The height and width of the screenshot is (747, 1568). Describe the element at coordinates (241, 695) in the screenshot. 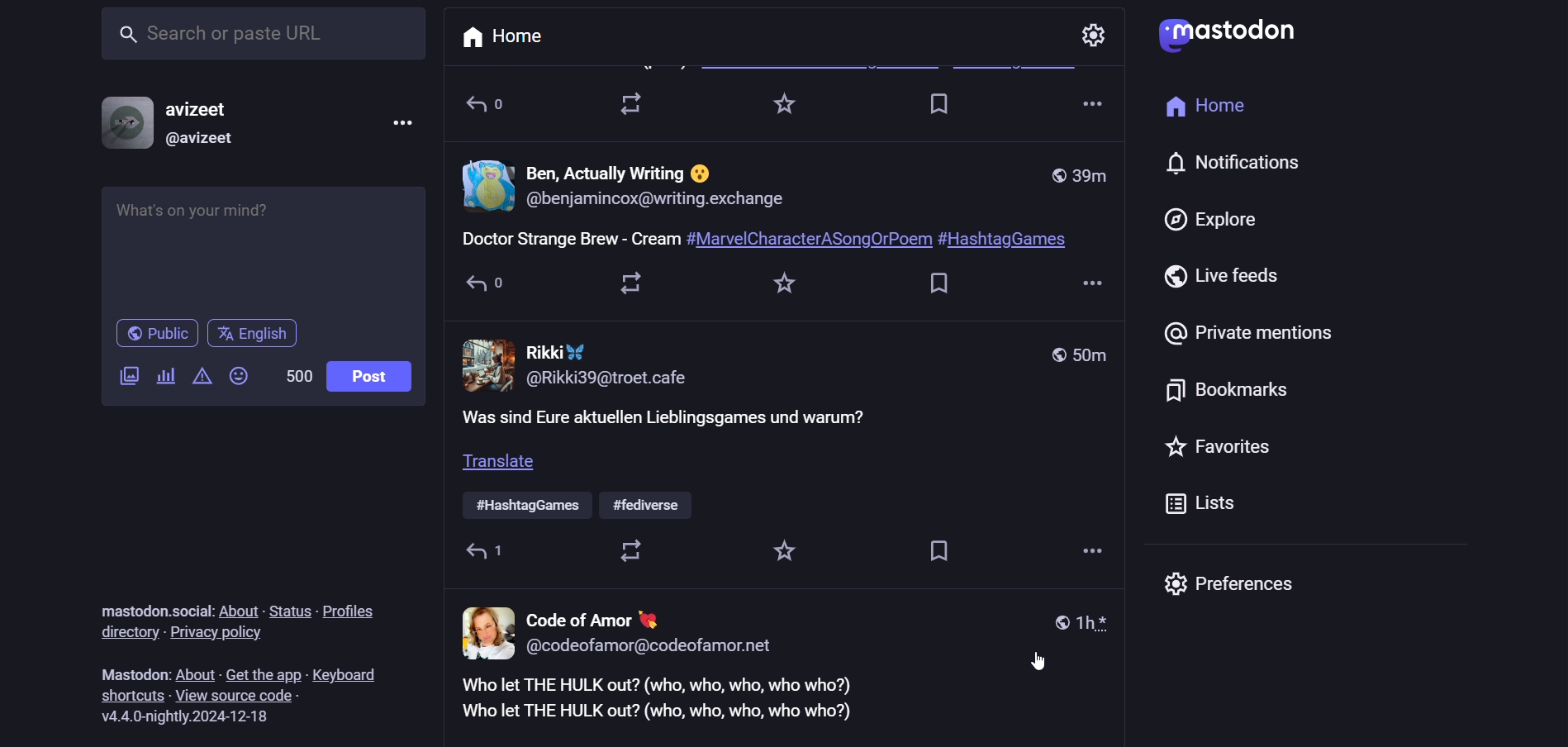

I see `view source code` at that location.